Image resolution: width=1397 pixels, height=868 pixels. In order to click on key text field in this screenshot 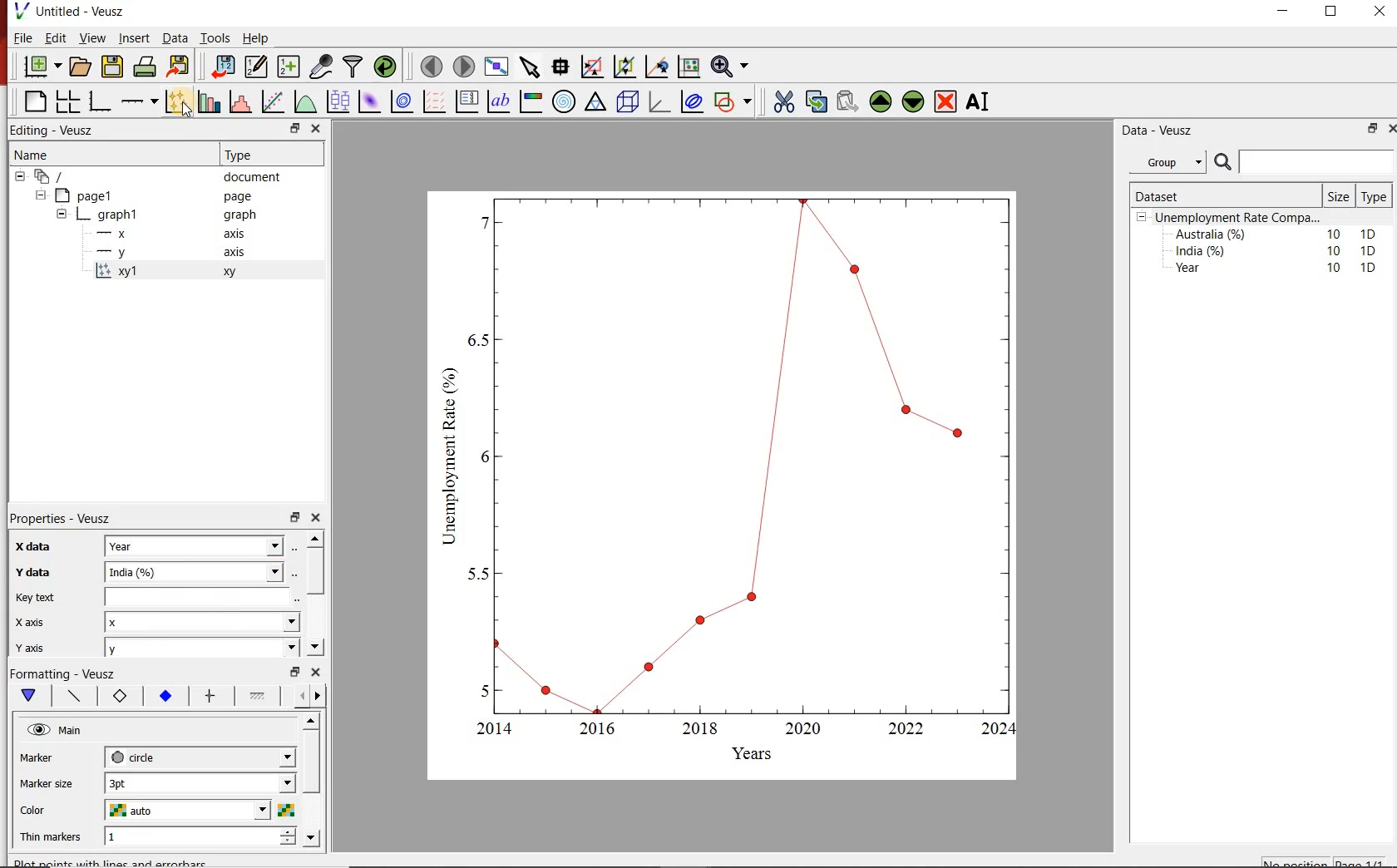, I will do `click(200, 596)`.